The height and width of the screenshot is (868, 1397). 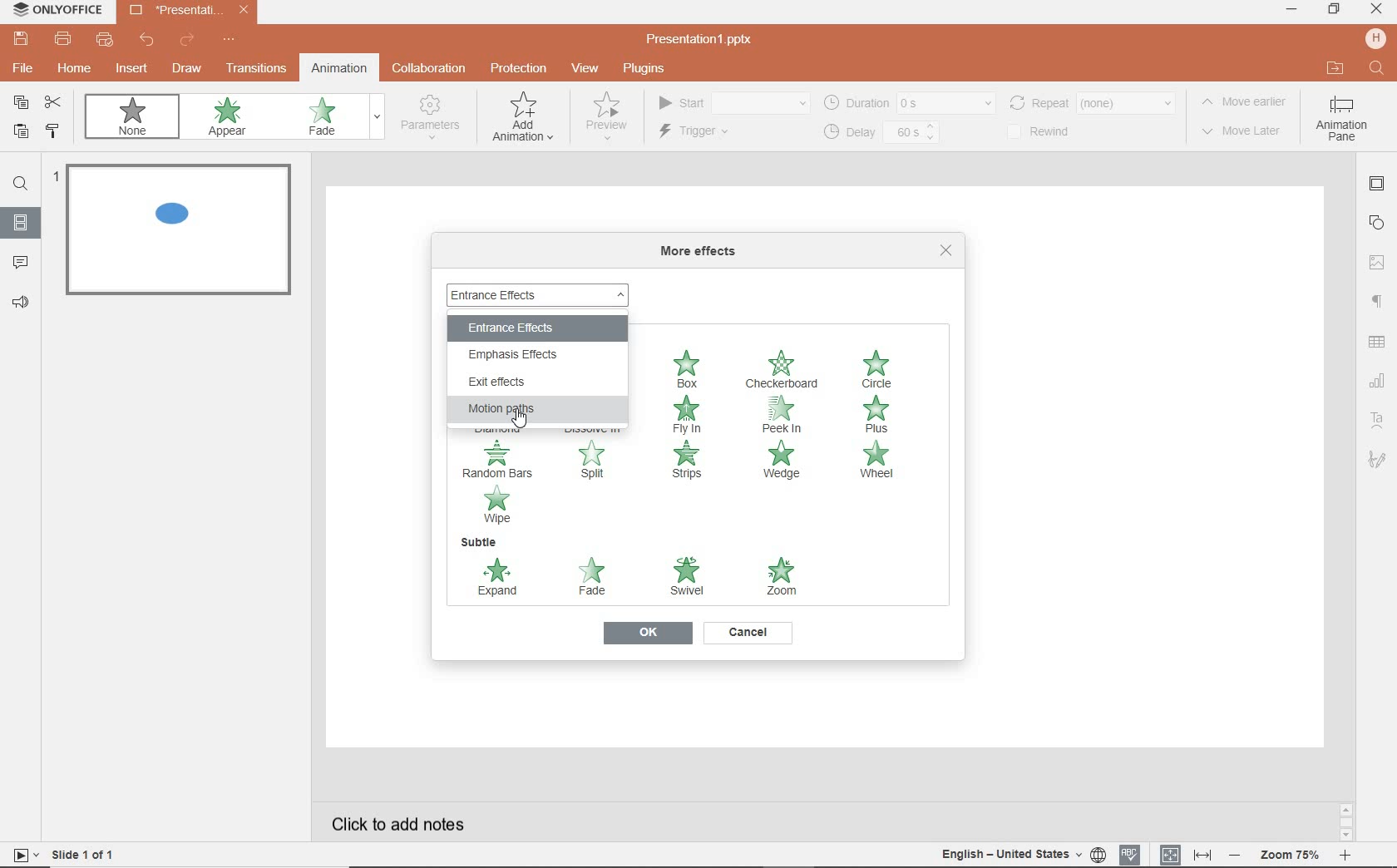 I want to click on shape settings, so click(x=1380, y=222).